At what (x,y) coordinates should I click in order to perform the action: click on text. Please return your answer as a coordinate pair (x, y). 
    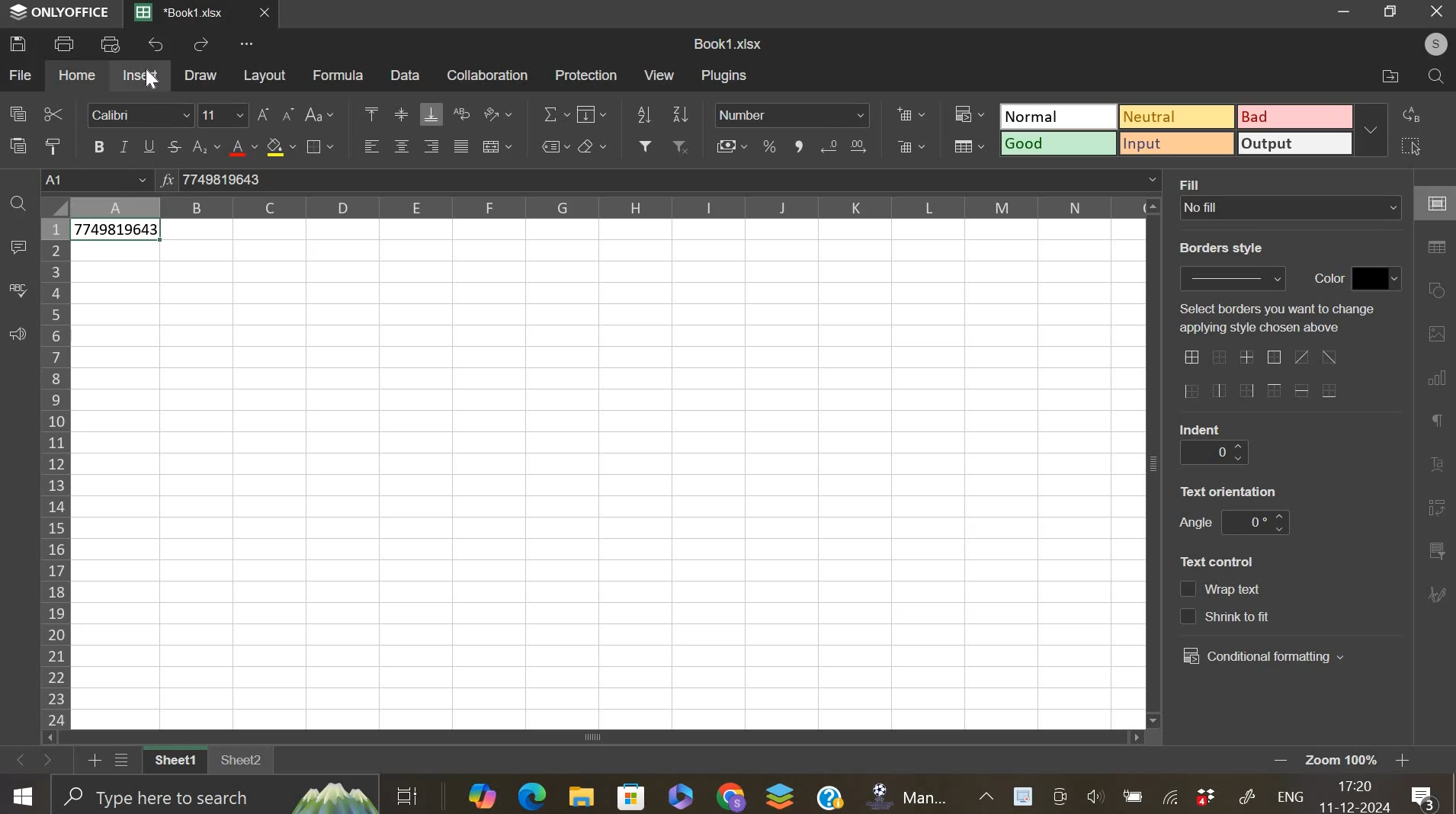
    Looking at the image, I should click on (1276, 318).